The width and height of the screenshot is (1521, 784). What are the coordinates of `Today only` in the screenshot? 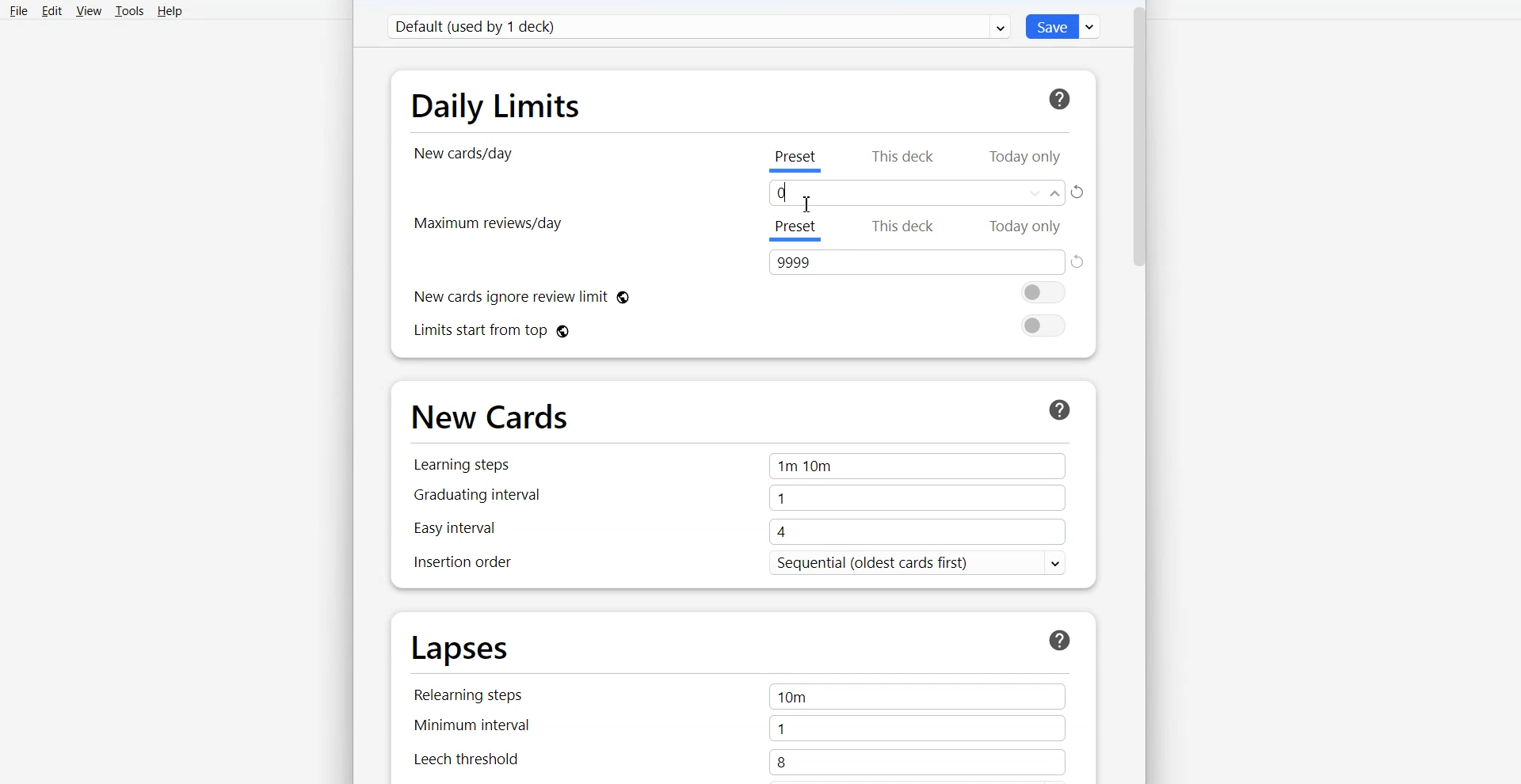 It's located at (1025, 158).